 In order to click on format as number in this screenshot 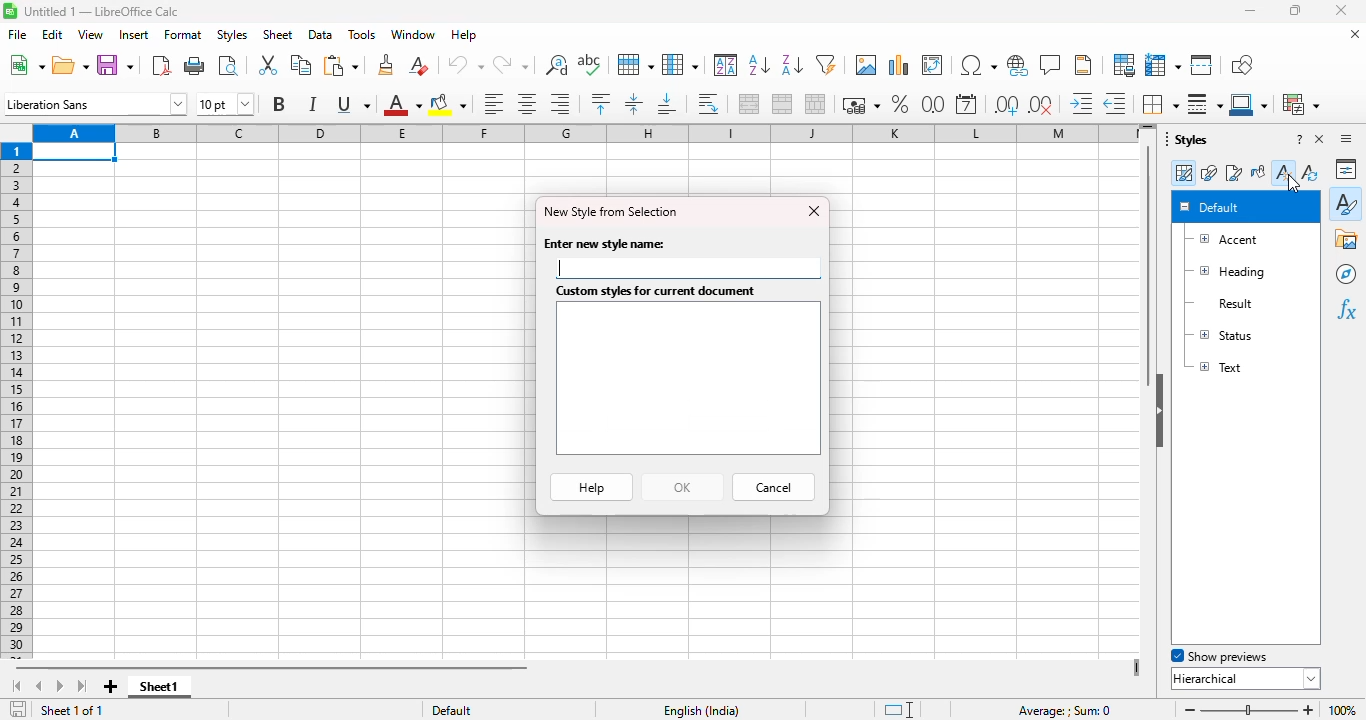, I will do `click(934, 104)`.